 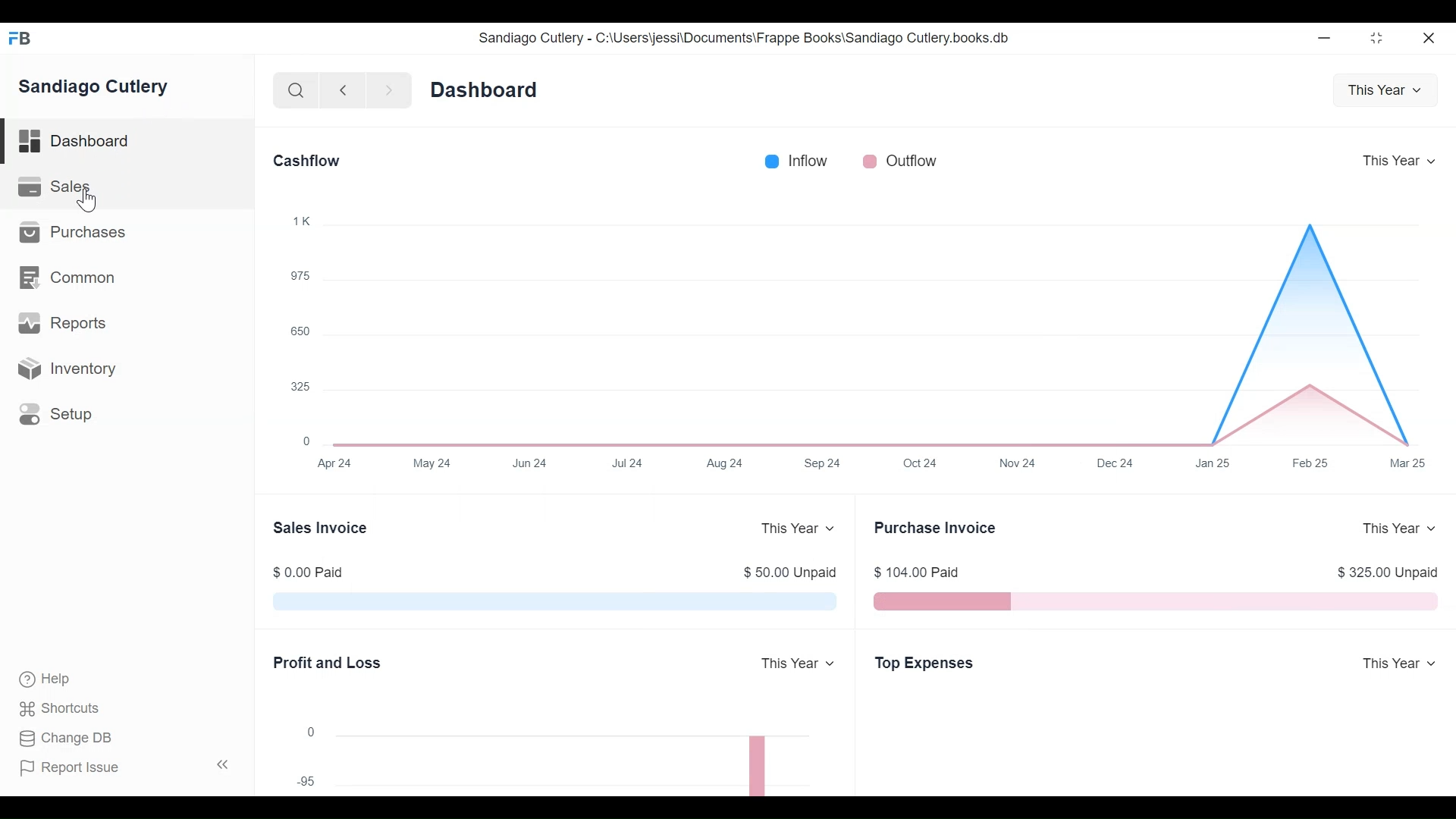 I want to click on backward, so click(x=344, y=90).